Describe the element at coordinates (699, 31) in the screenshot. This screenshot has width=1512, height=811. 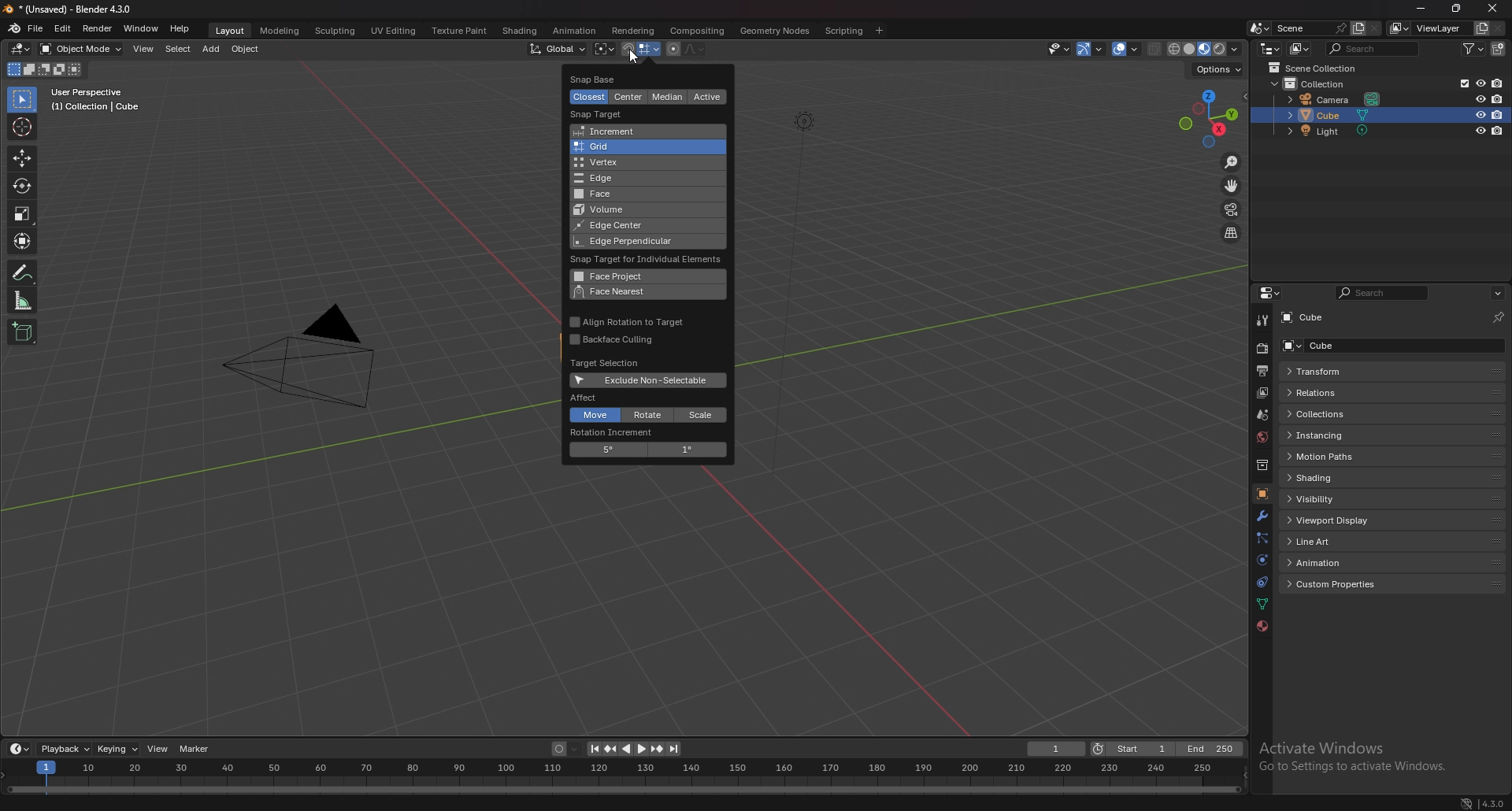
I see `compositing` at that location.